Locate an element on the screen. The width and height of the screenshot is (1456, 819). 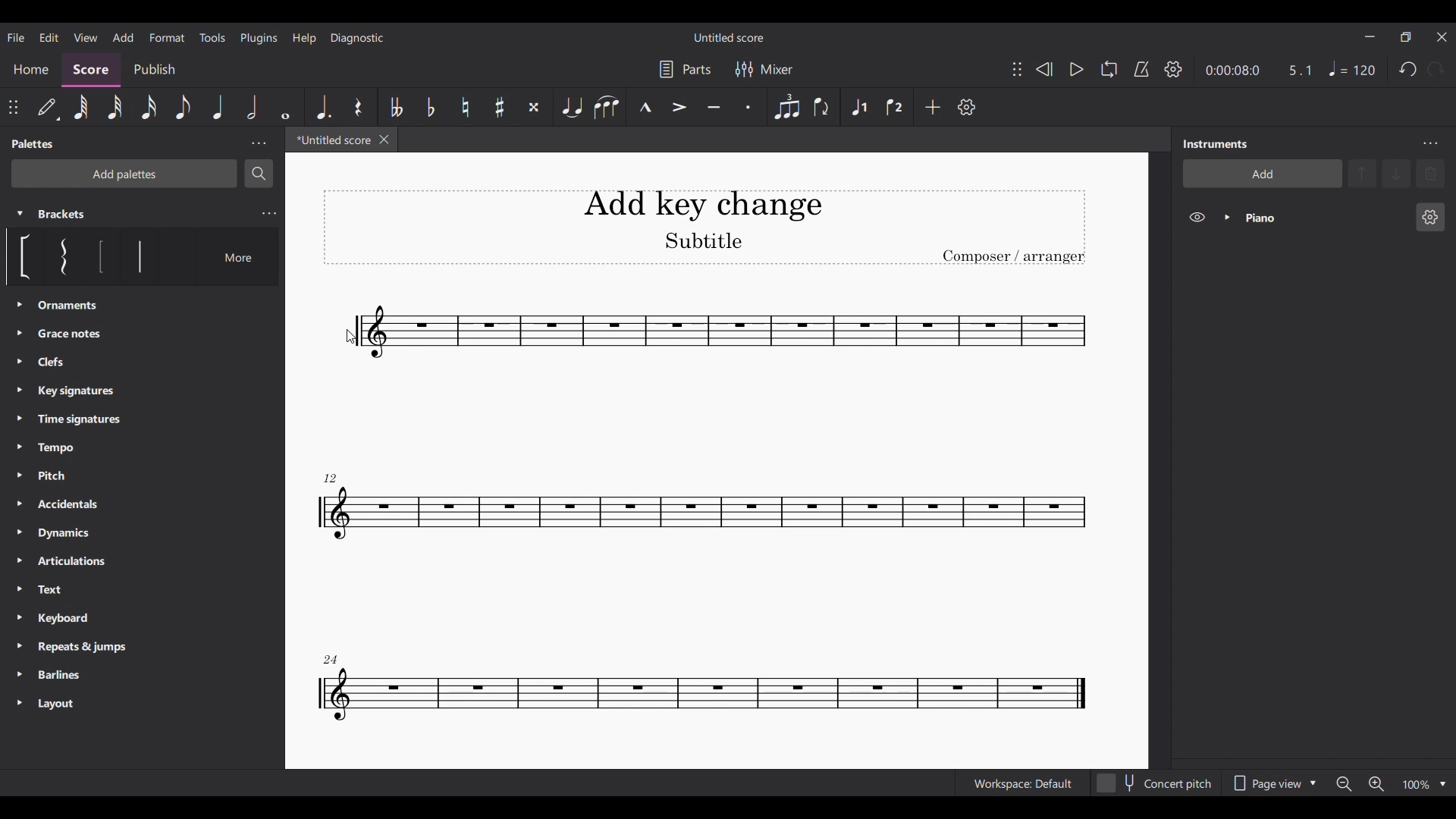
64th note is located at coordinates (82, 108).